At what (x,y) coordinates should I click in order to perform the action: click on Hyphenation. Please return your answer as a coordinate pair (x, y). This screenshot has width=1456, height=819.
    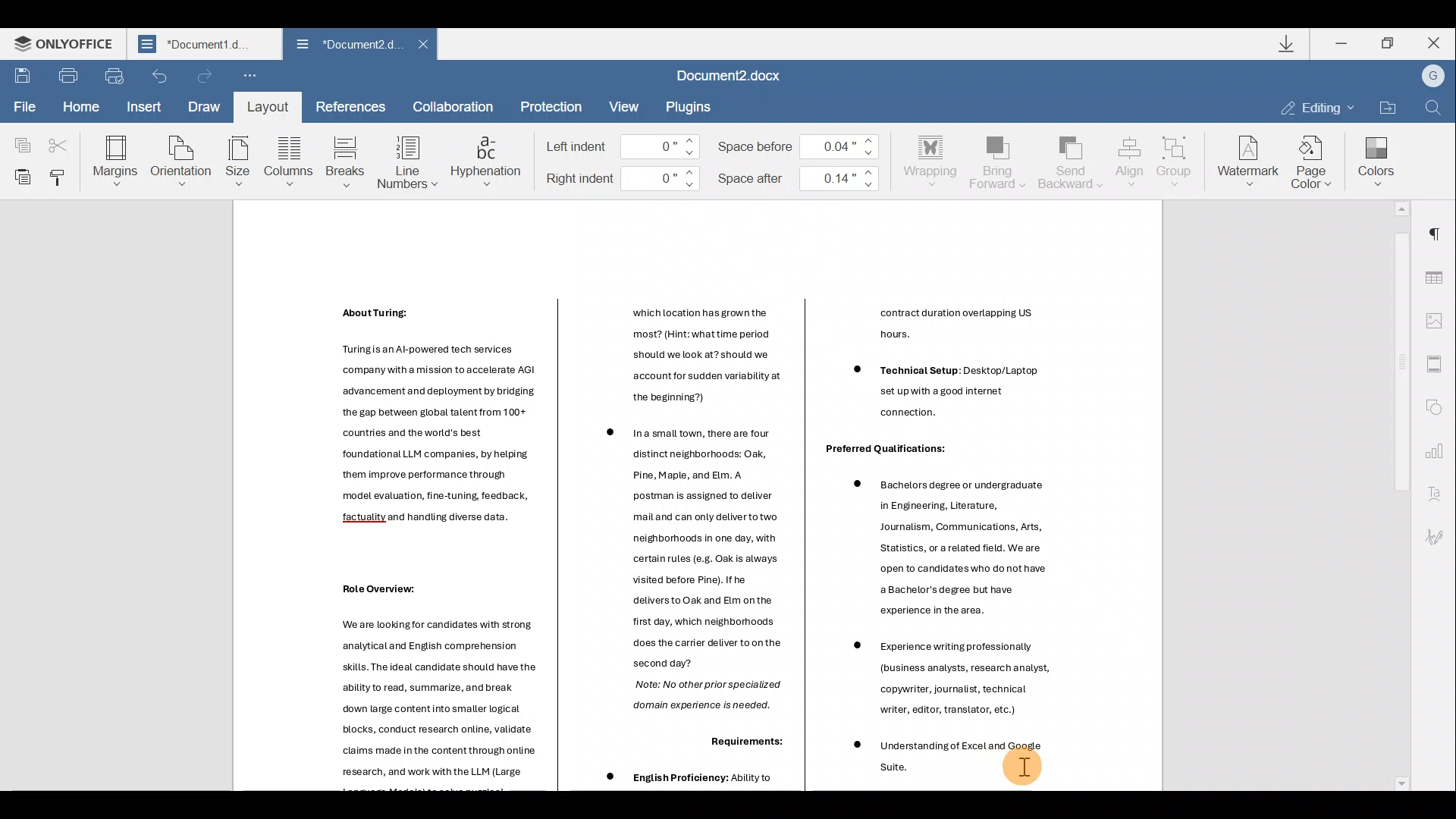
    Looking at the image, I should click on (487, 158).